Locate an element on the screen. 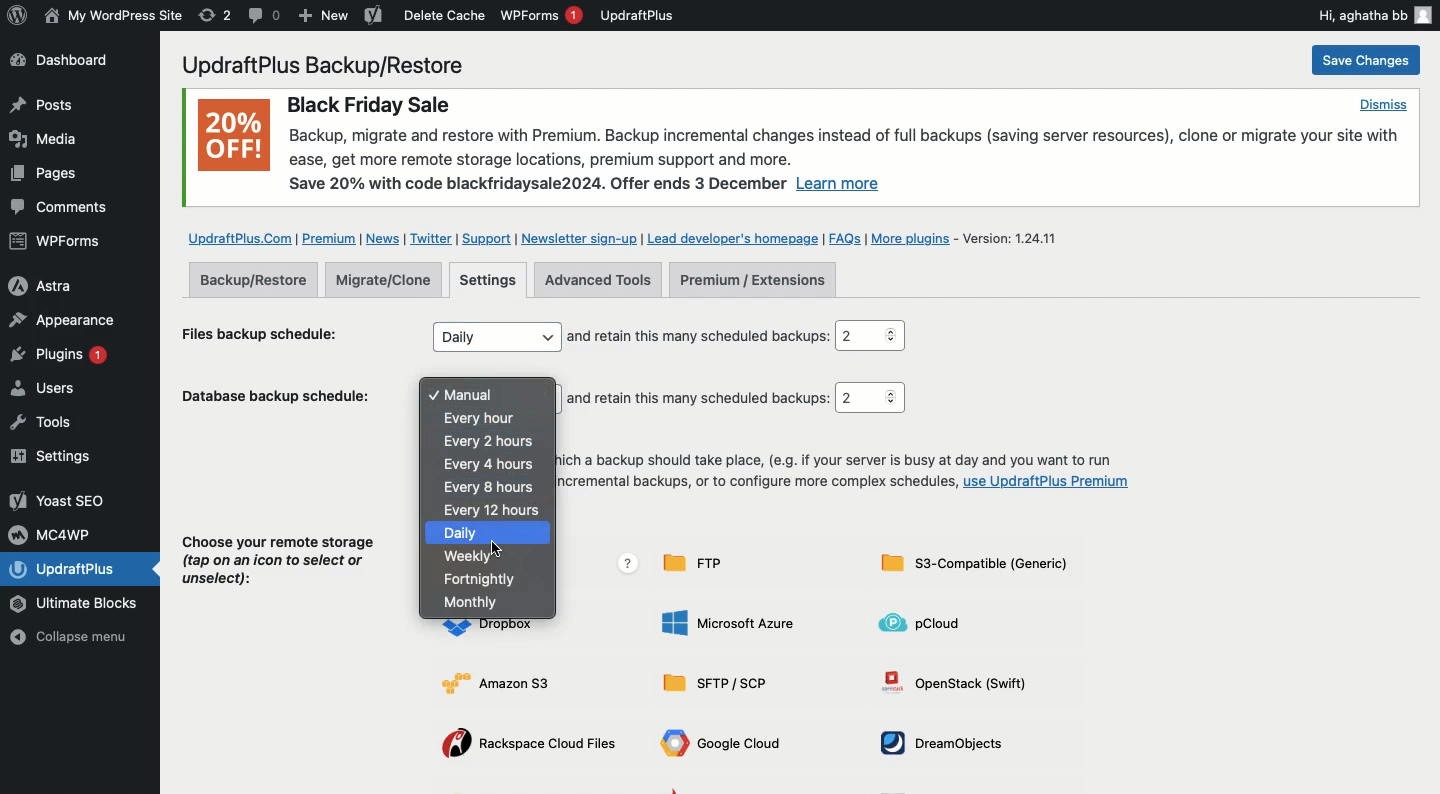  OpenStack is located at coordinates (963, 681).